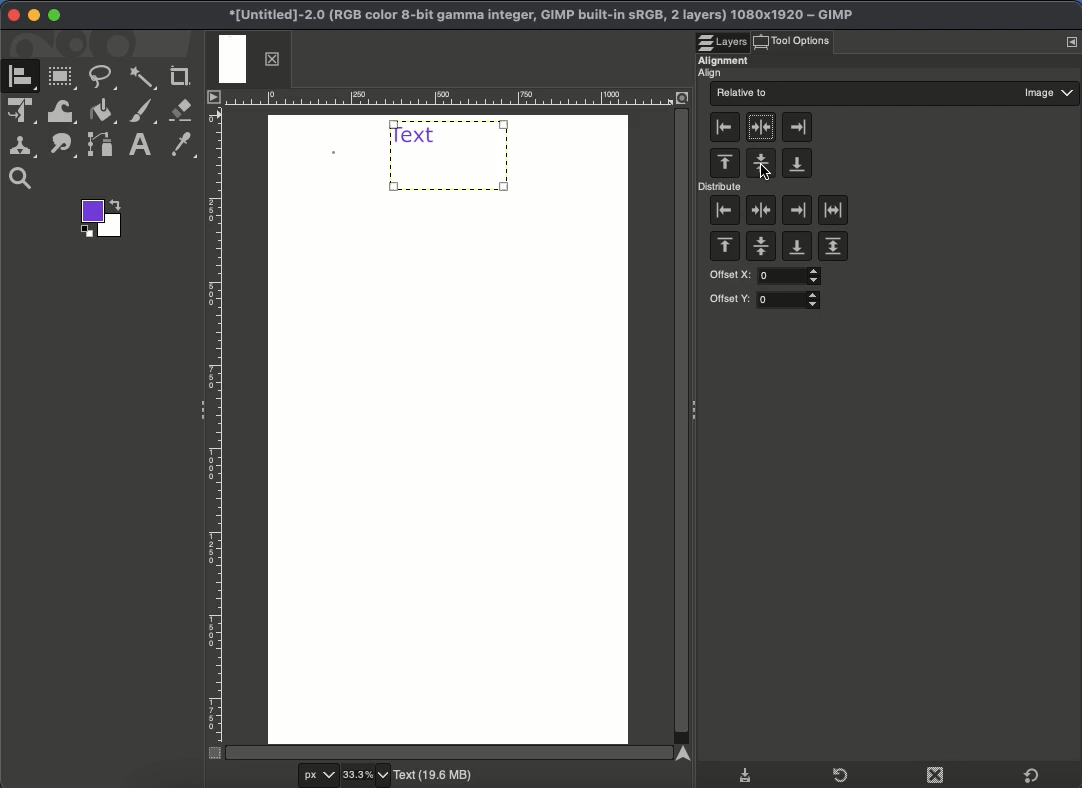  Describe the element at coordinates (212, 96) in the screenshot. I see `Menu` at that location.